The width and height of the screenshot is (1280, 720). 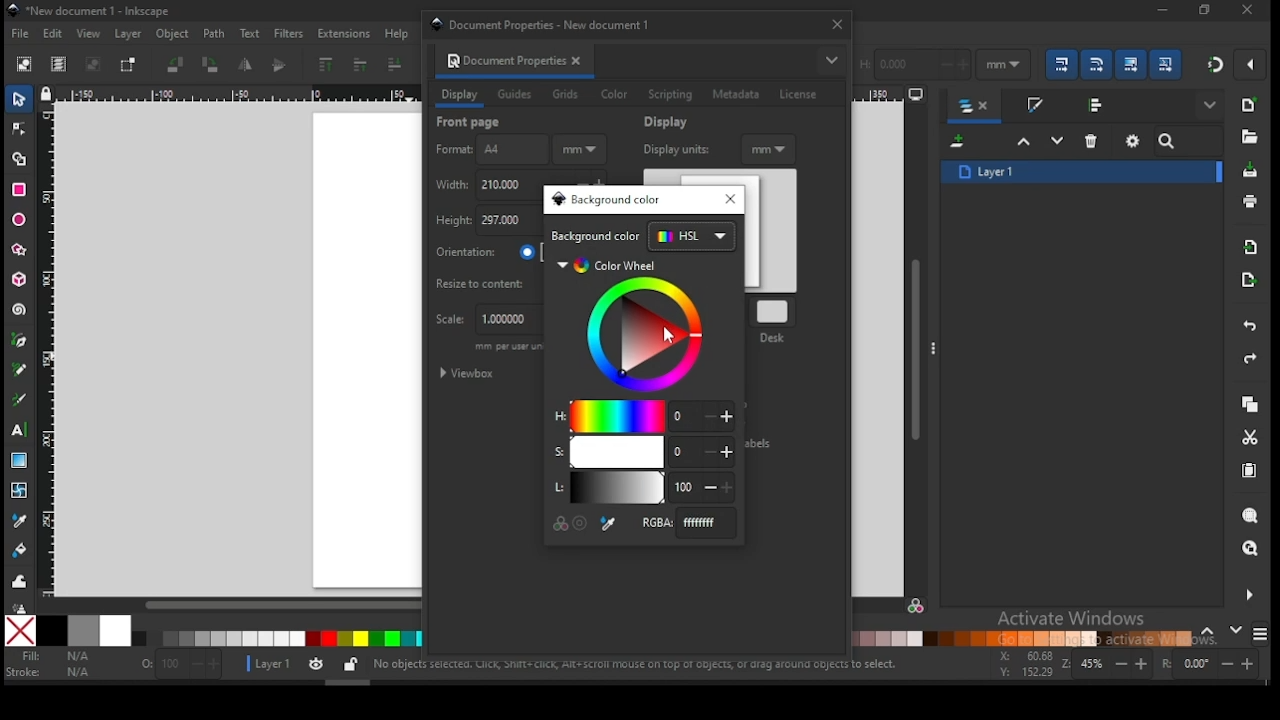 What do you see at coordinates (179, 65) in the screenshot?
I see `object rotate 90 CCW` at bounding box center [179, 65].